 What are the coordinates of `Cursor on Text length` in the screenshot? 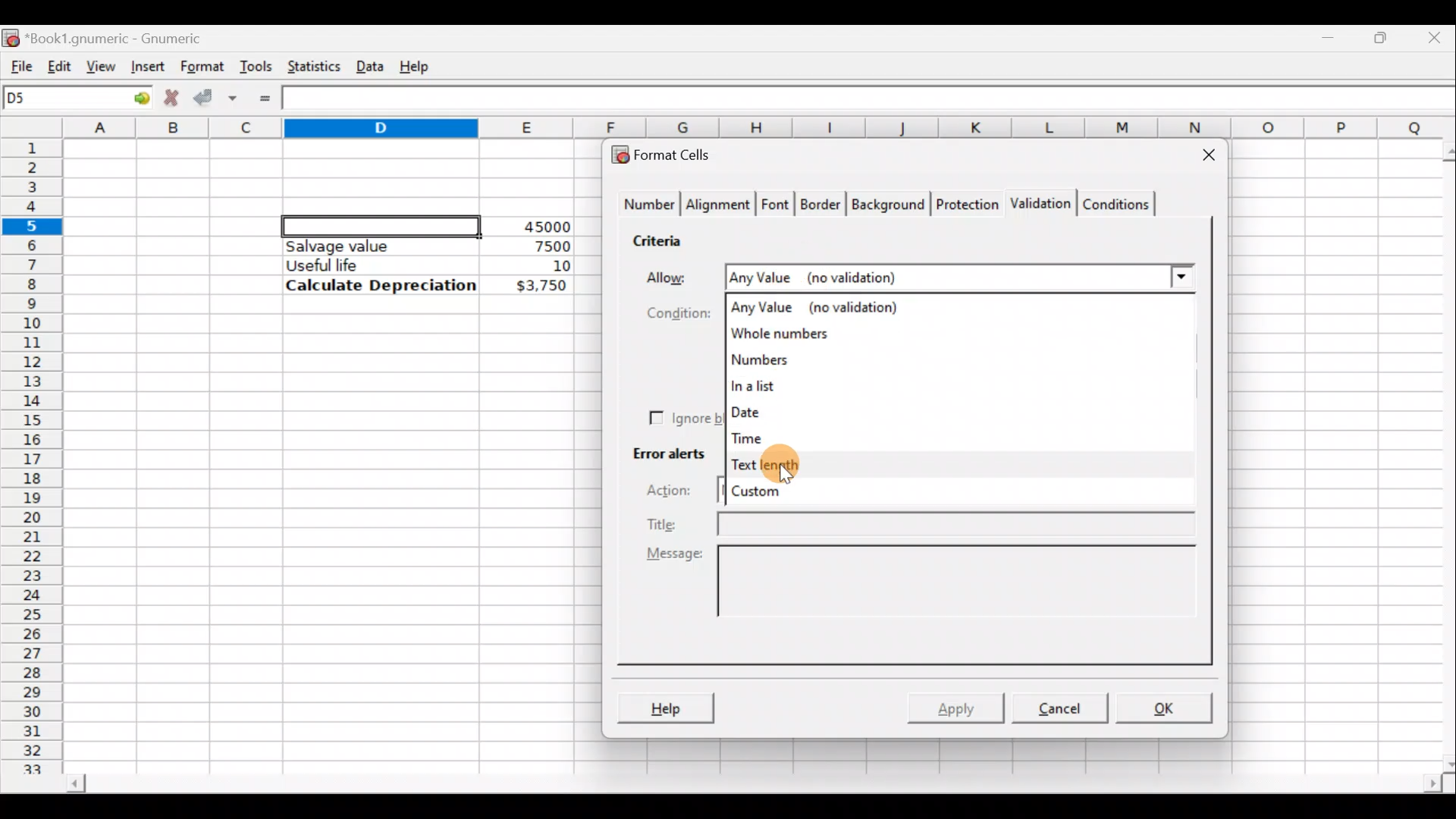 It's located at (774, 465).